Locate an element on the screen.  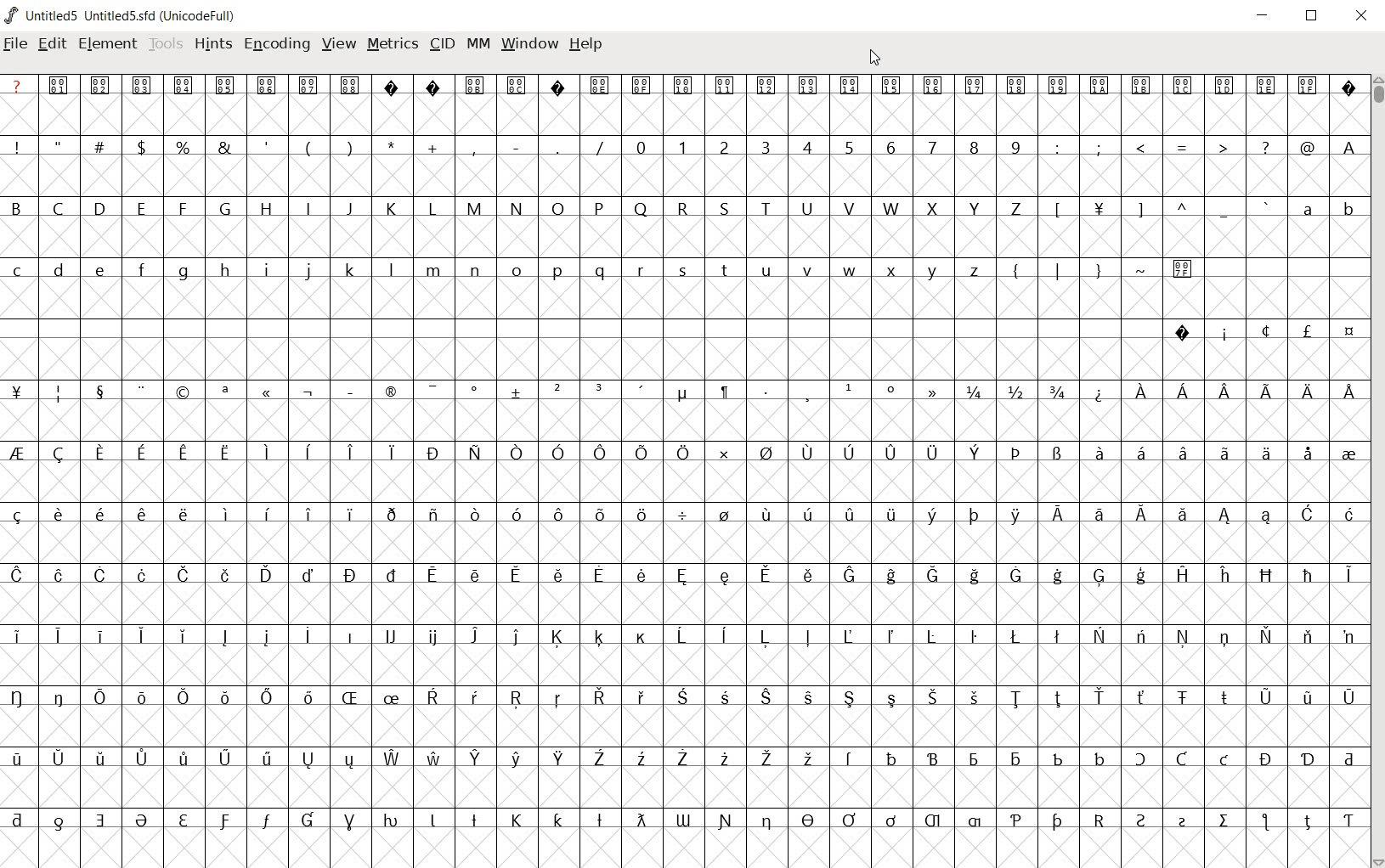
Symbol is located at coordinates (517, 637).